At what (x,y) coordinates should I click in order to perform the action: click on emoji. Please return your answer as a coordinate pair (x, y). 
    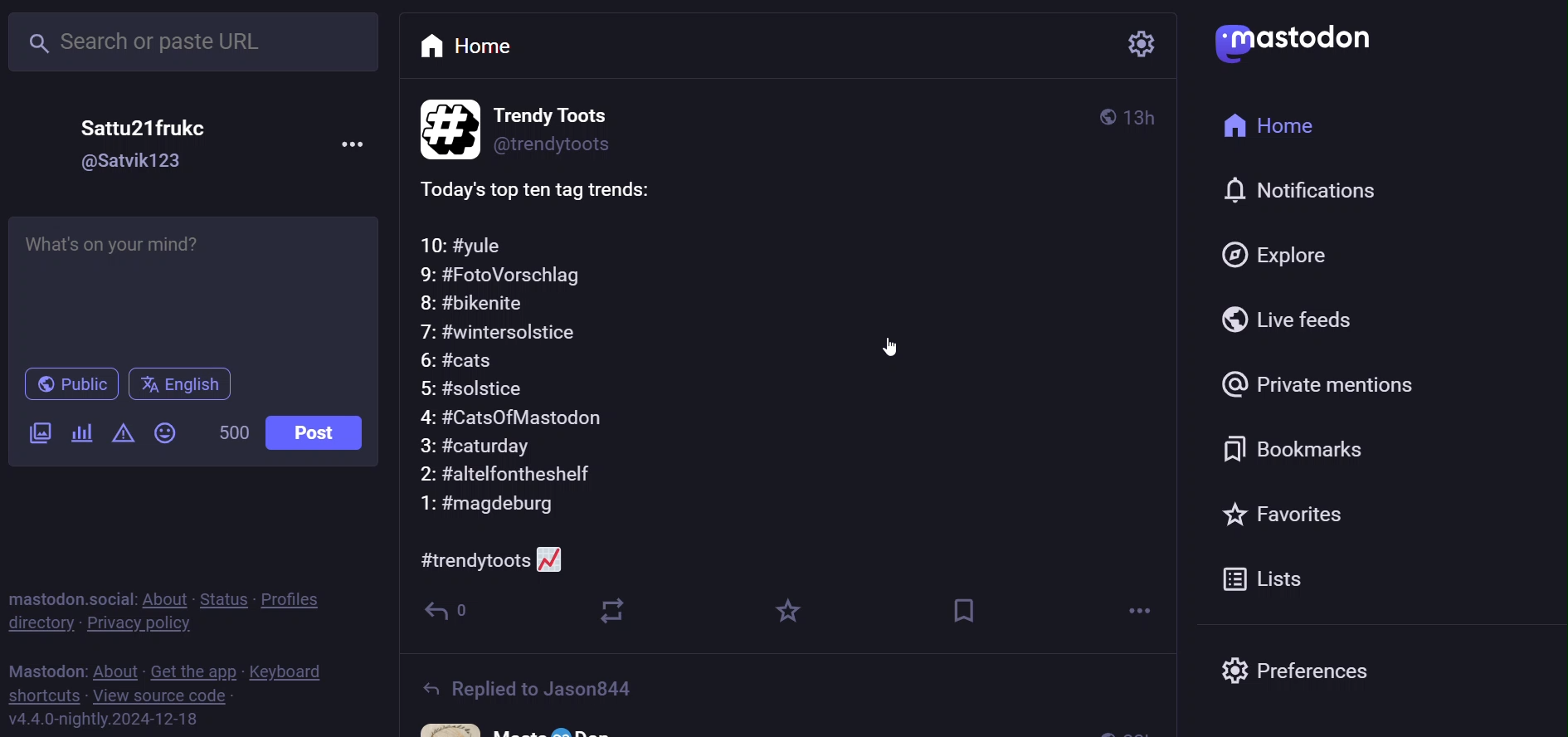
    Looking at the image, I should click on (172, 432).